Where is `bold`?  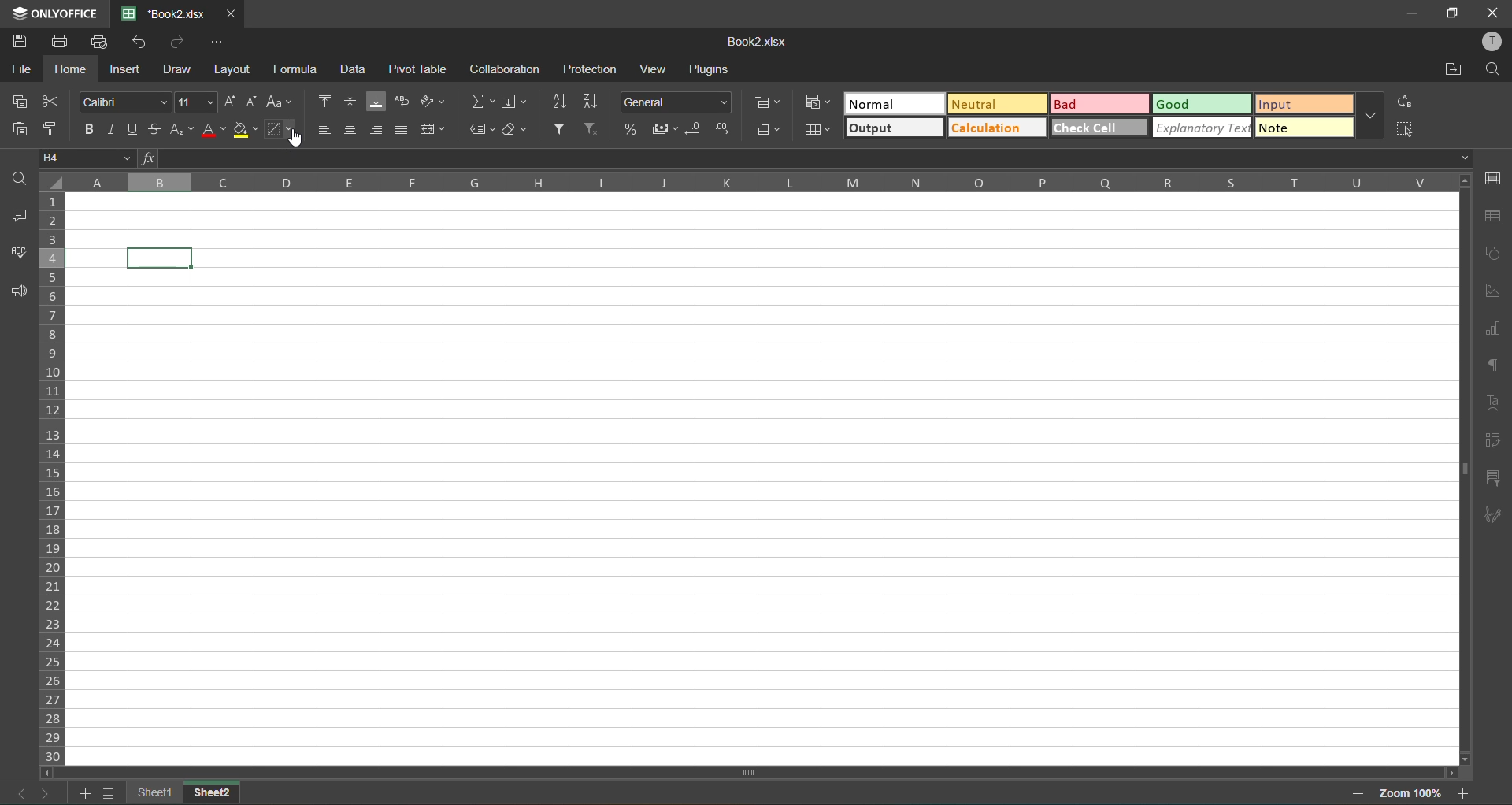 bold is located at coordinates (89, 129).